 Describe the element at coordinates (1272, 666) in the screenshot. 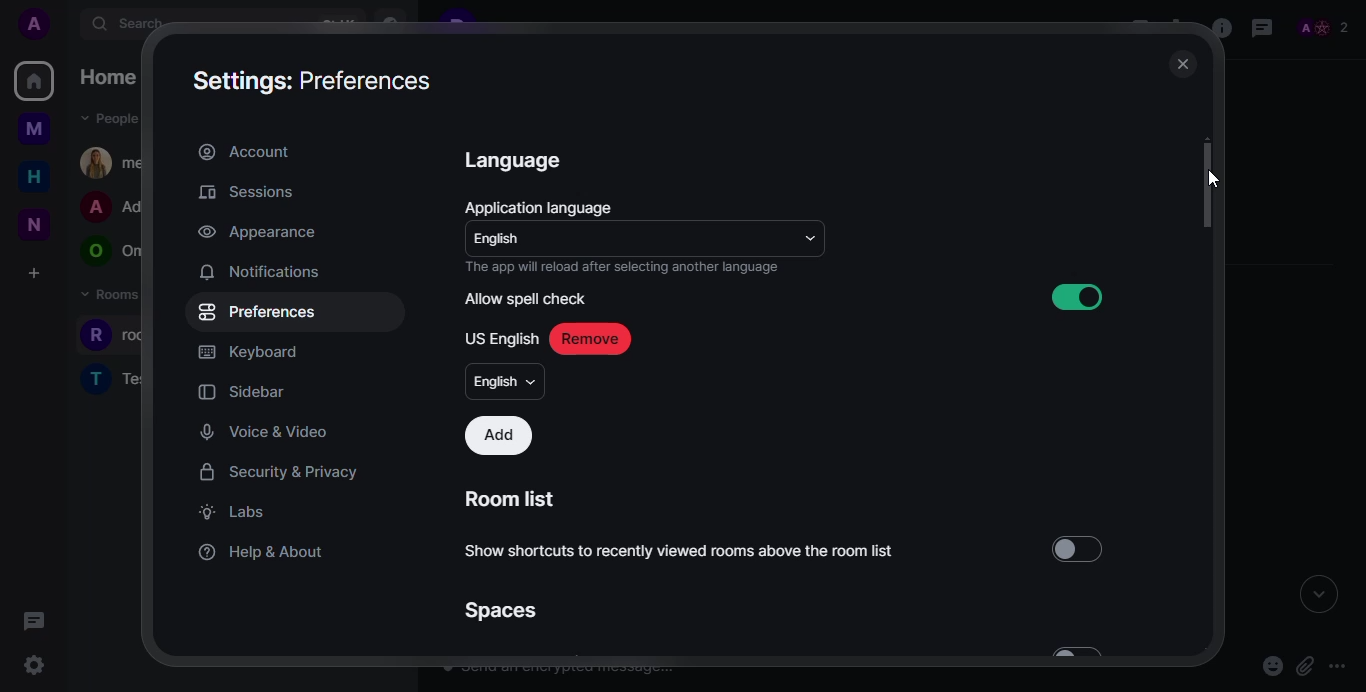

I see `emoji` at that location.